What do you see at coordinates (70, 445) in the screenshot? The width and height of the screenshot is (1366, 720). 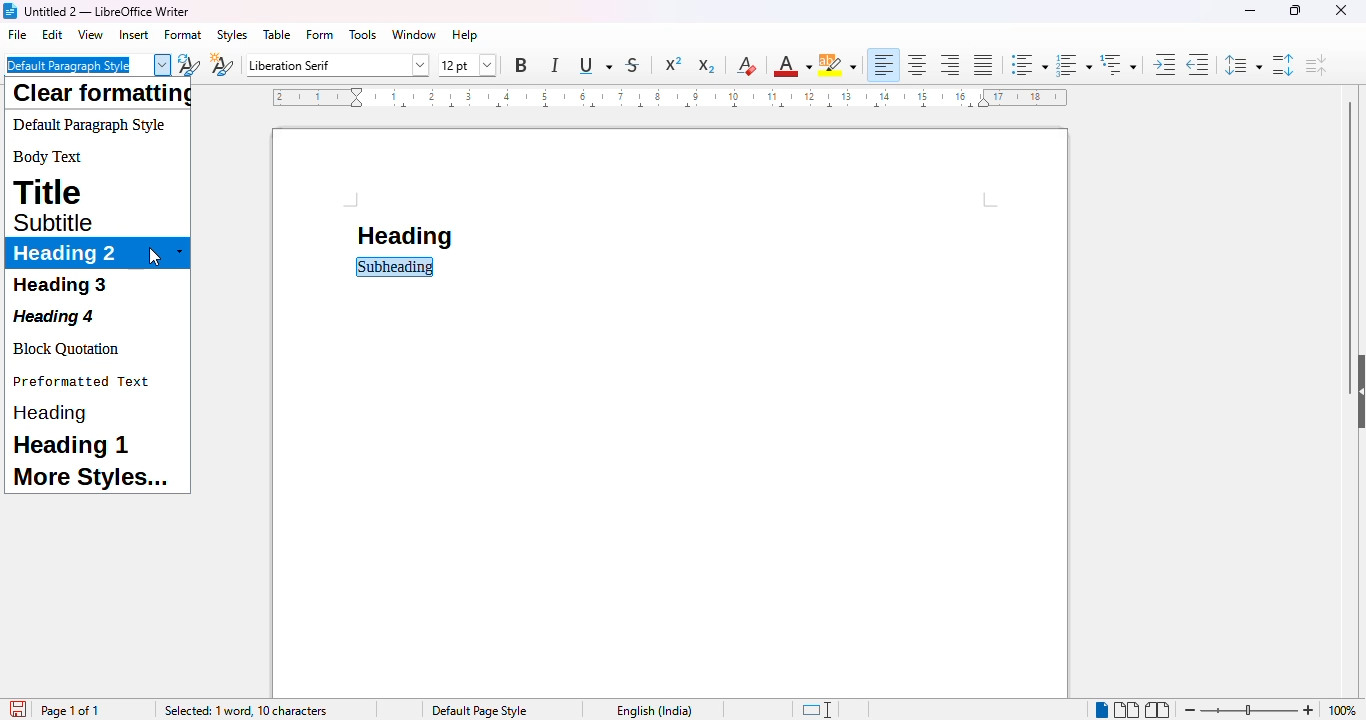 I see `heading 1` at bounding box center [70, 445].